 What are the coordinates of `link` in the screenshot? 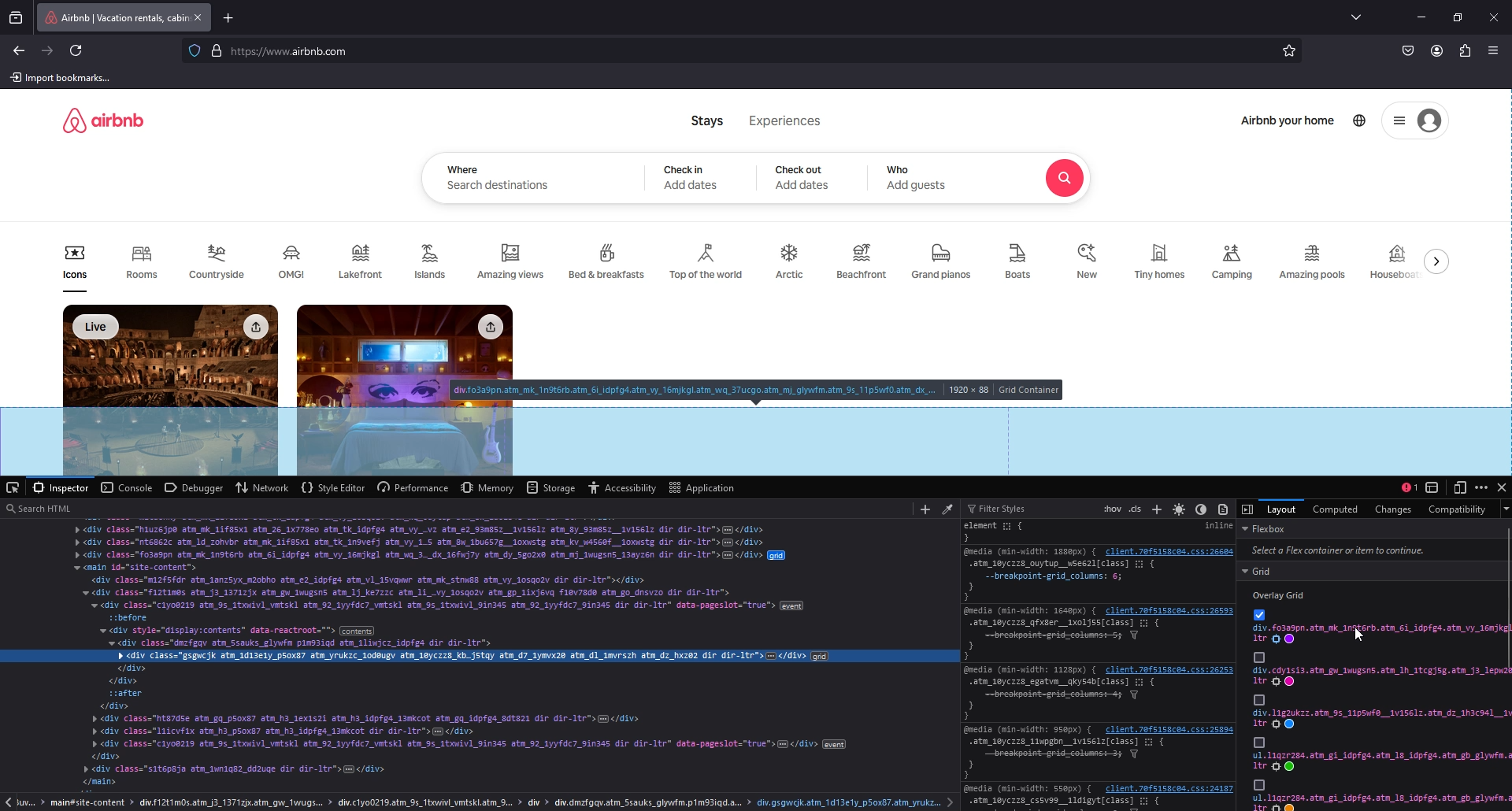 It's located at (1169, 550).